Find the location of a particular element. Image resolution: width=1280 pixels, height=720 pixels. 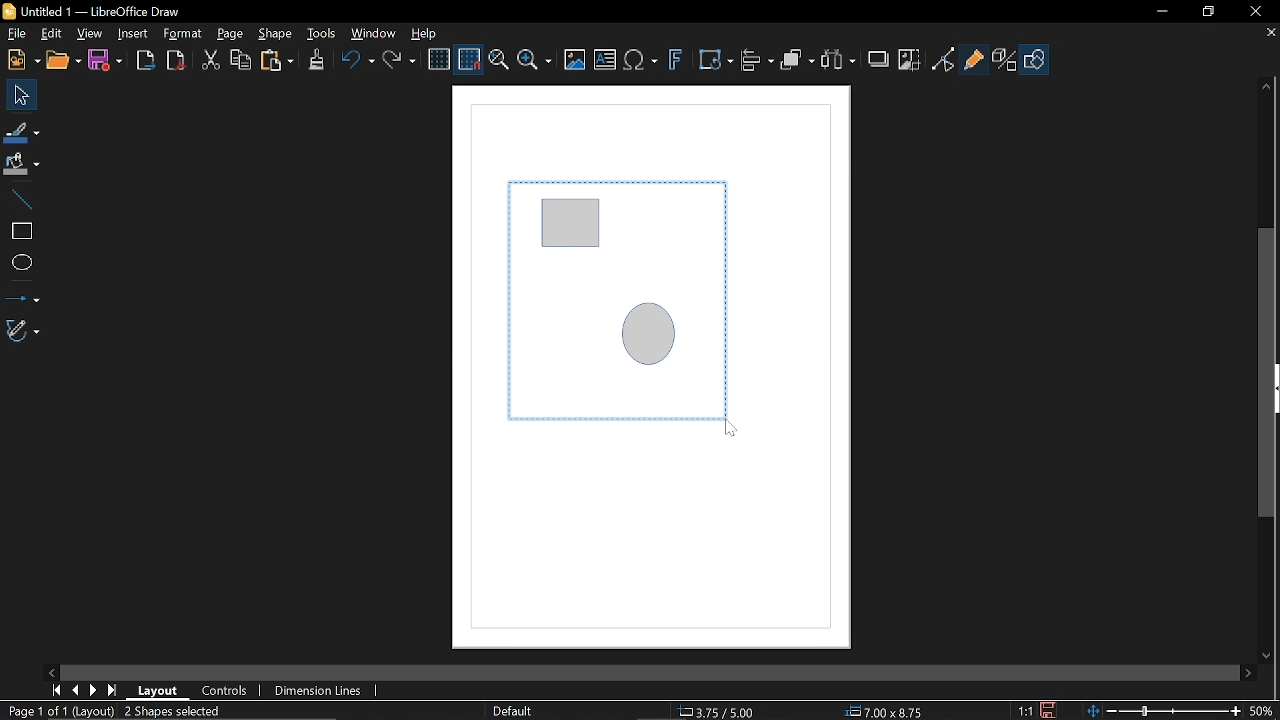

Move left is located at coordinates (47, 671).